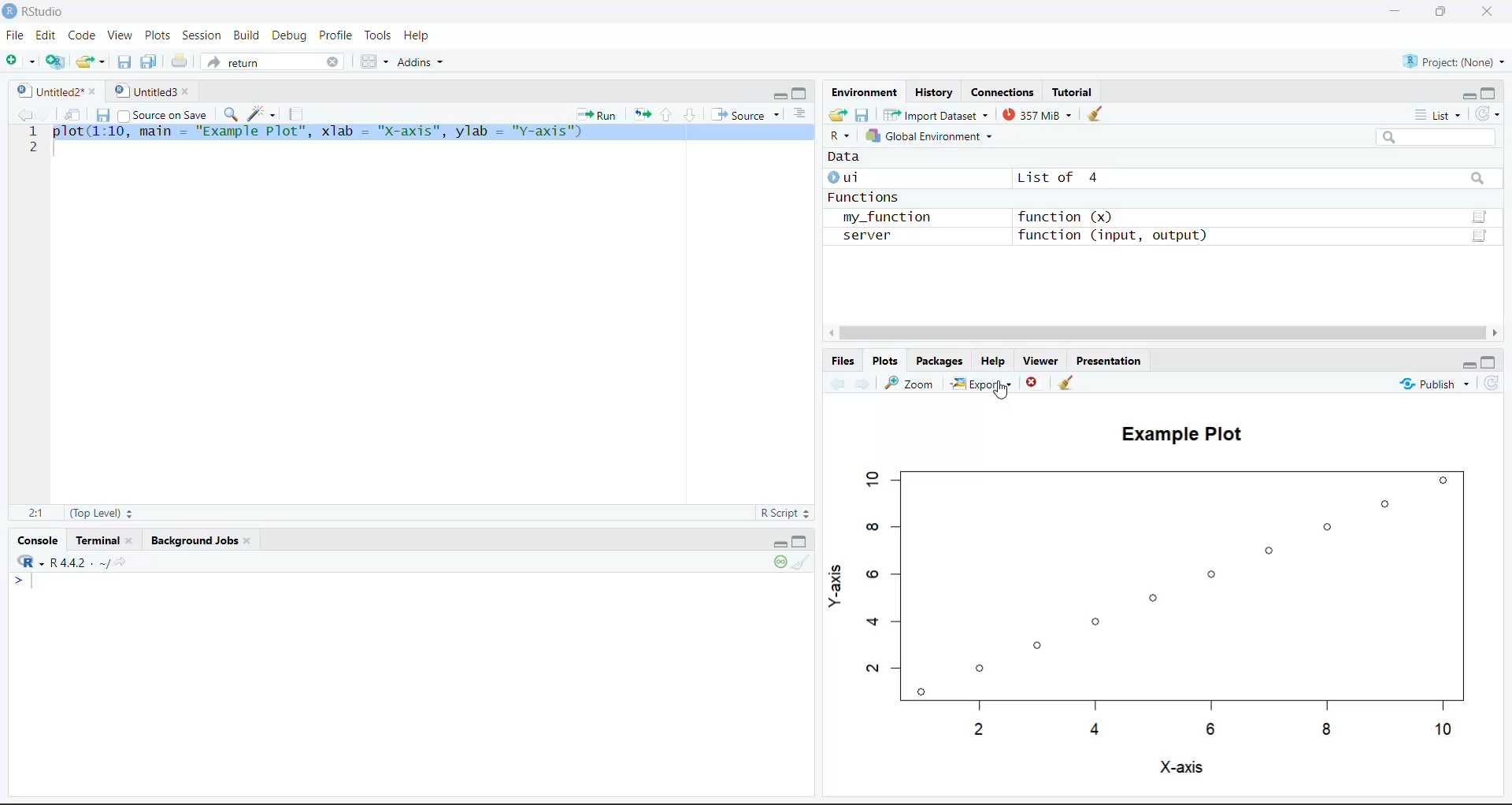 The width and height of the screenshot is (1512, 805). I want to click on Debug, so click(290, 35).